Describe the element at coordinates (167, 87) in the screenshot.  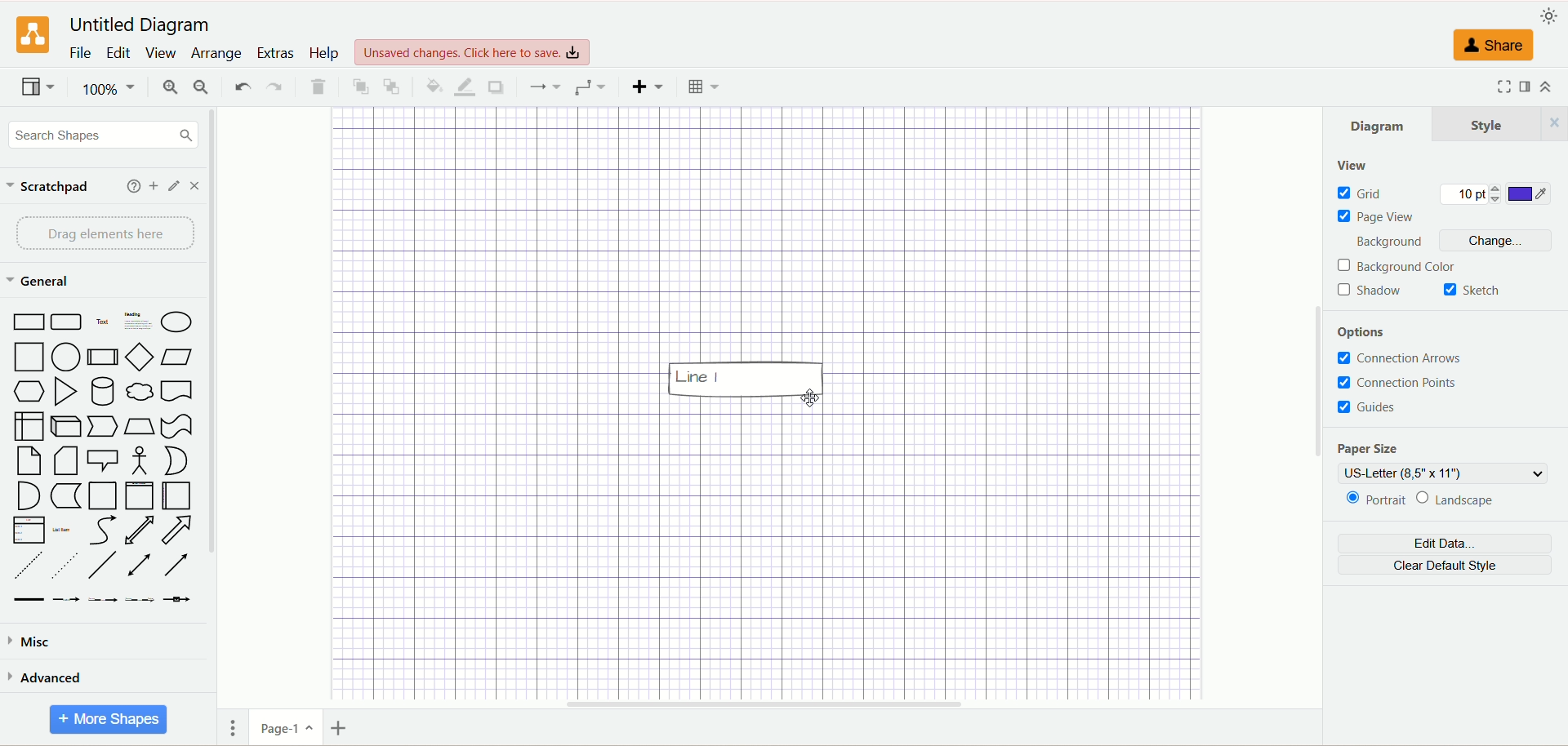
I see `zoom in` at that location.